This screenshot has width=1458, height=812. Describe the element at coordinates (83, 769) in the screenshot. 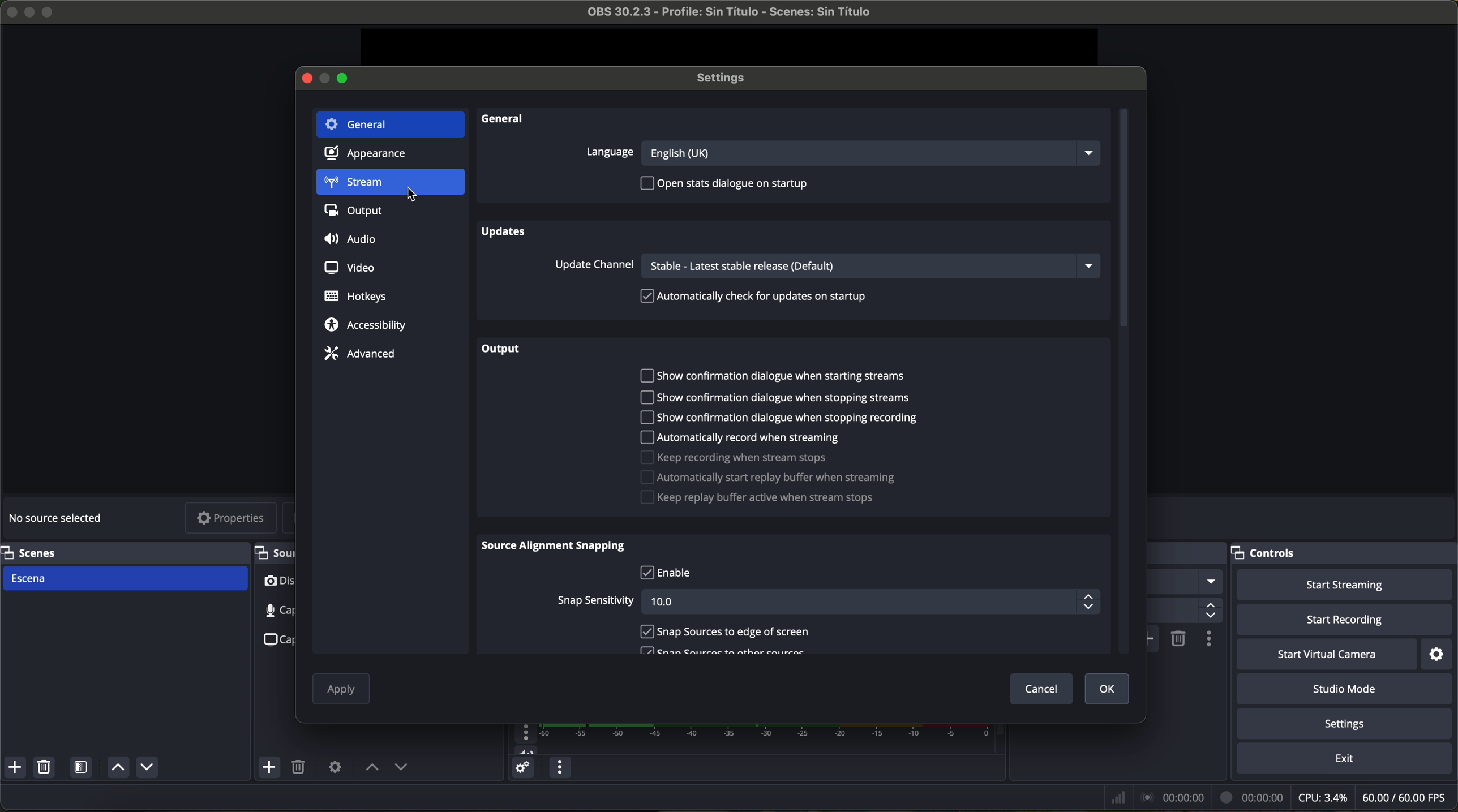

I see `open scene filters` at that location.